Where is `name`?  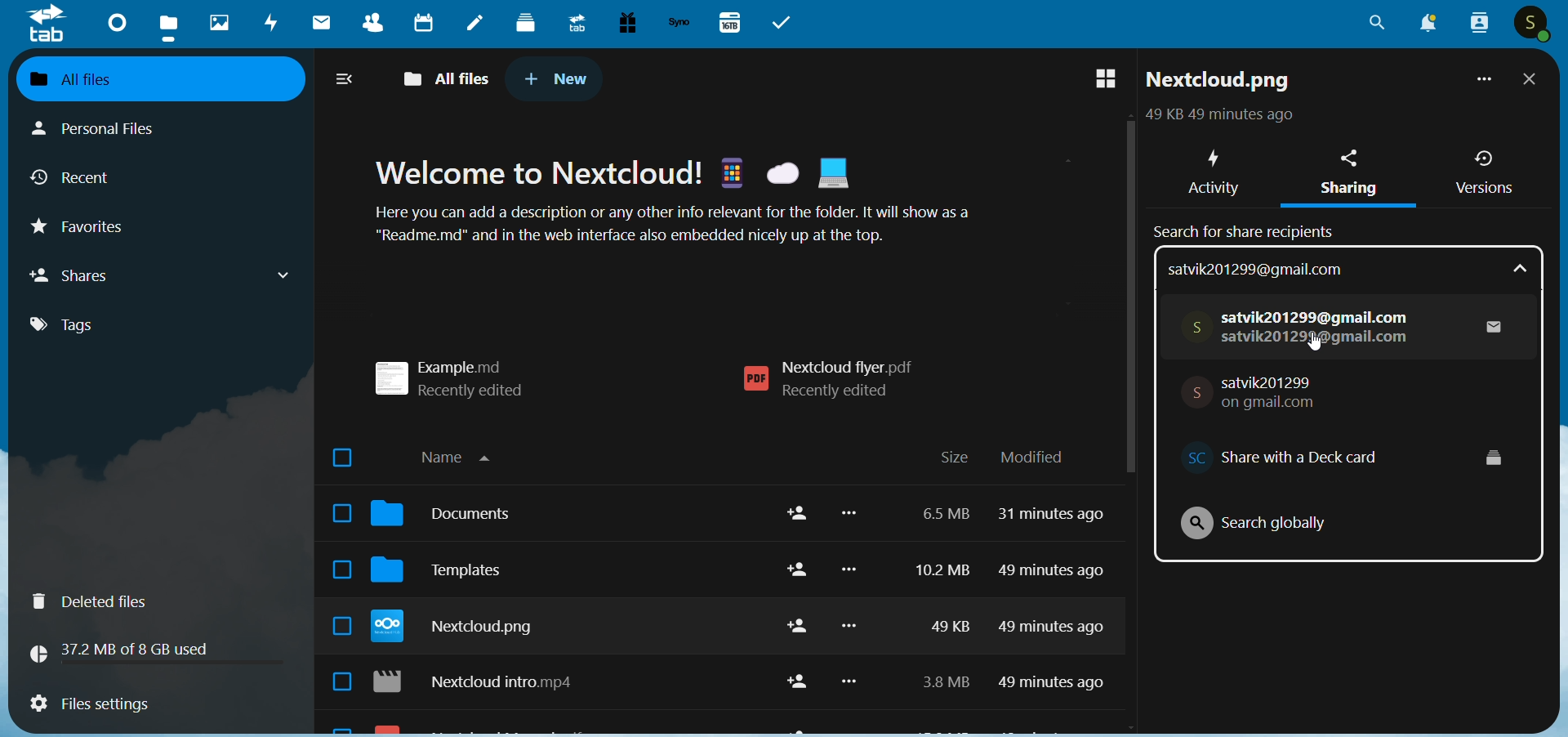
name is located at coordinates (464, 454).